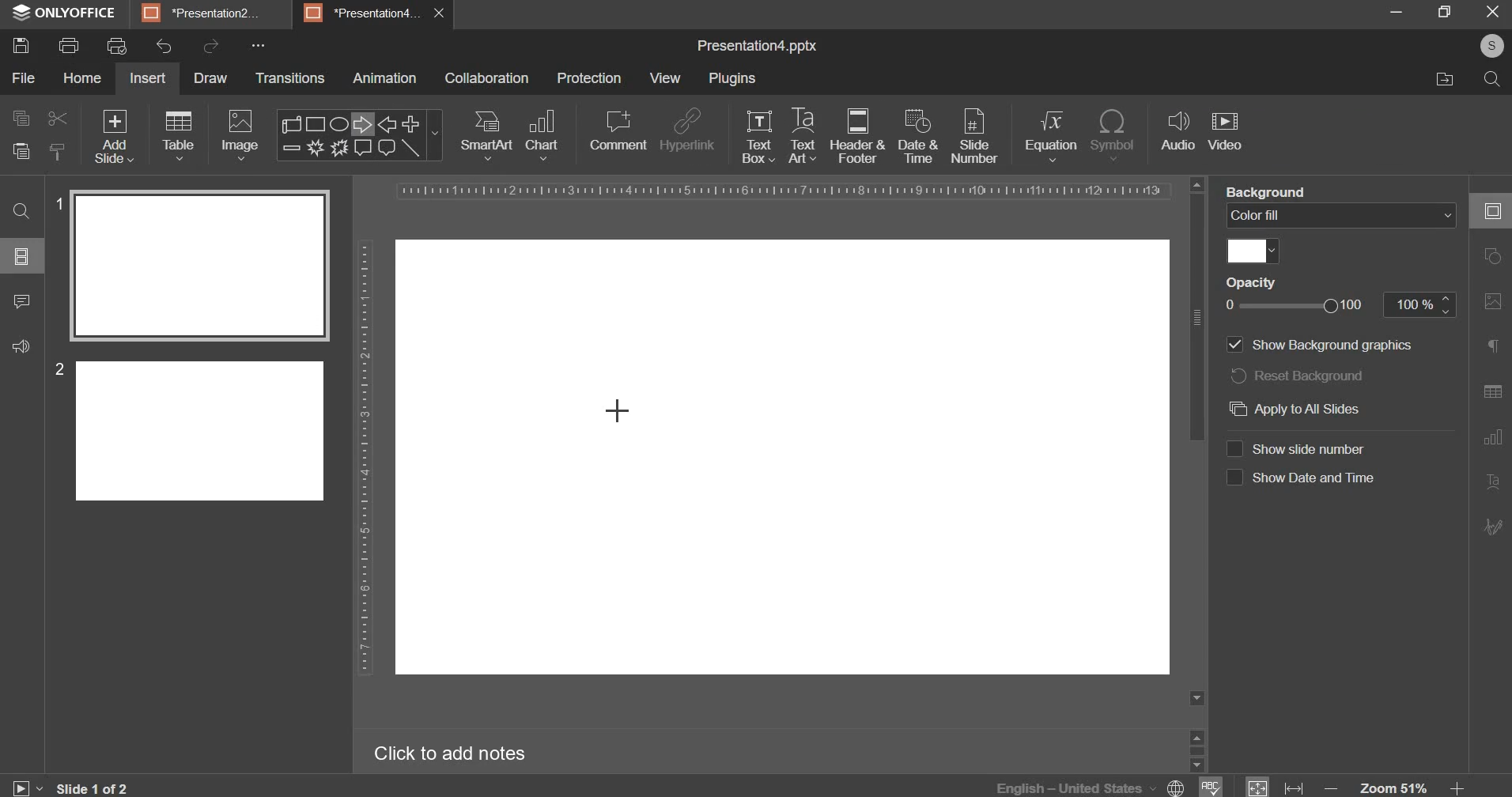  What do you see at coordinates (359, 134) in the screenshot?
I see `shapes` at bounding box center [359, 134].